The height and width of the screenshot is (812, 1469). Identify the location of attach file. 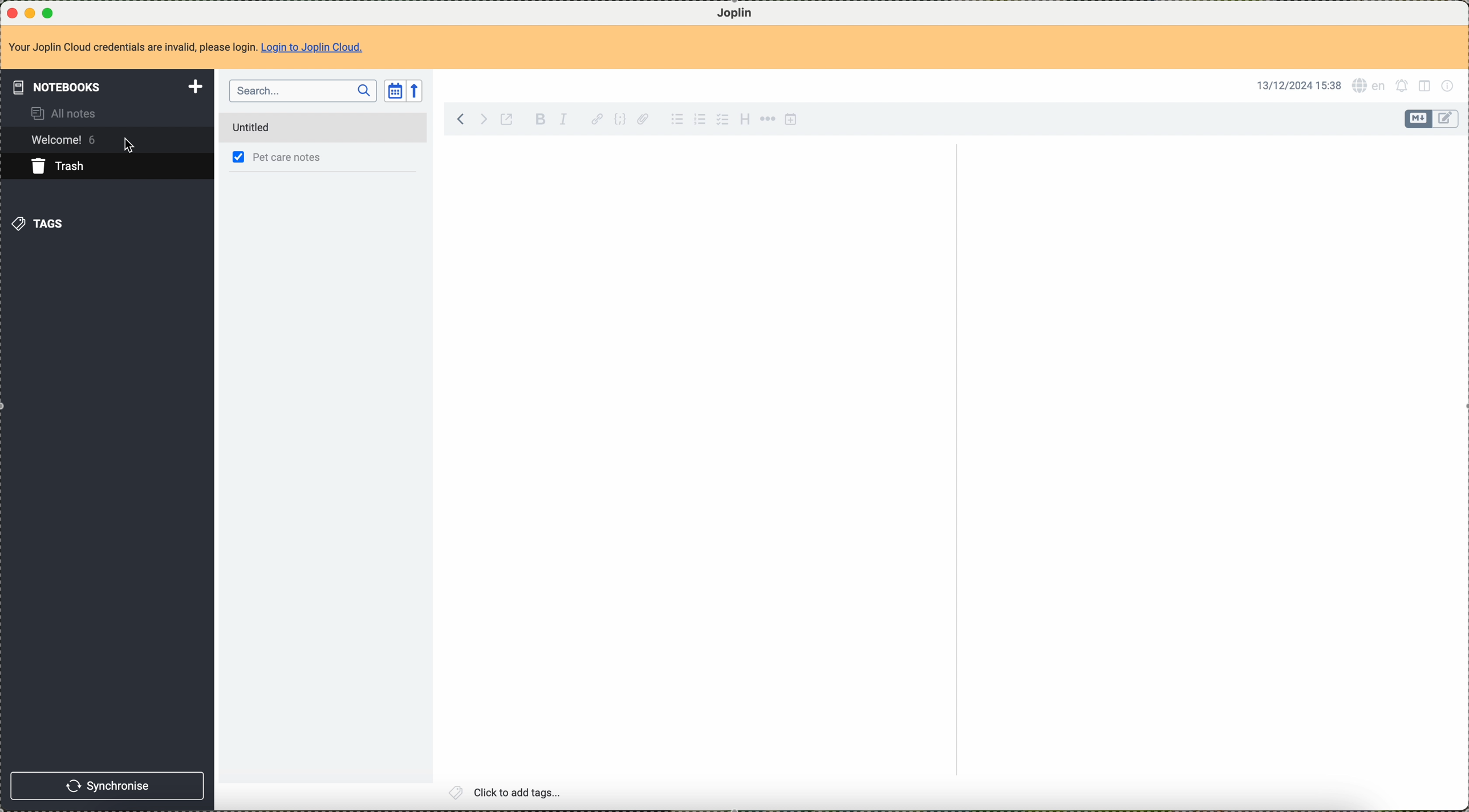
(646, 120).